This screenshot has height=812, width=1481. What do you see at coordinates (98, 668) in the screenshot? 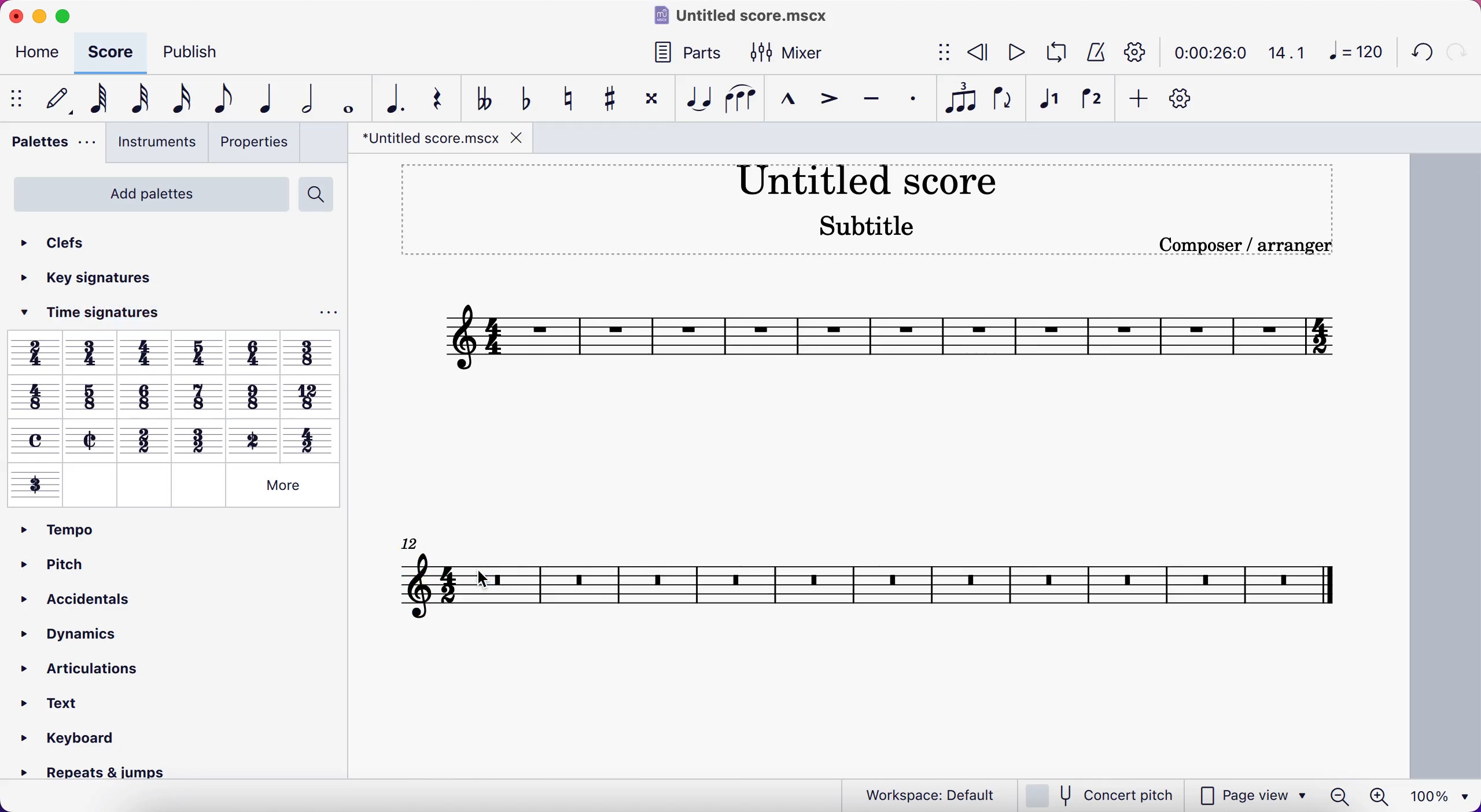
I see `articulations` at bounding box center [98, 668].